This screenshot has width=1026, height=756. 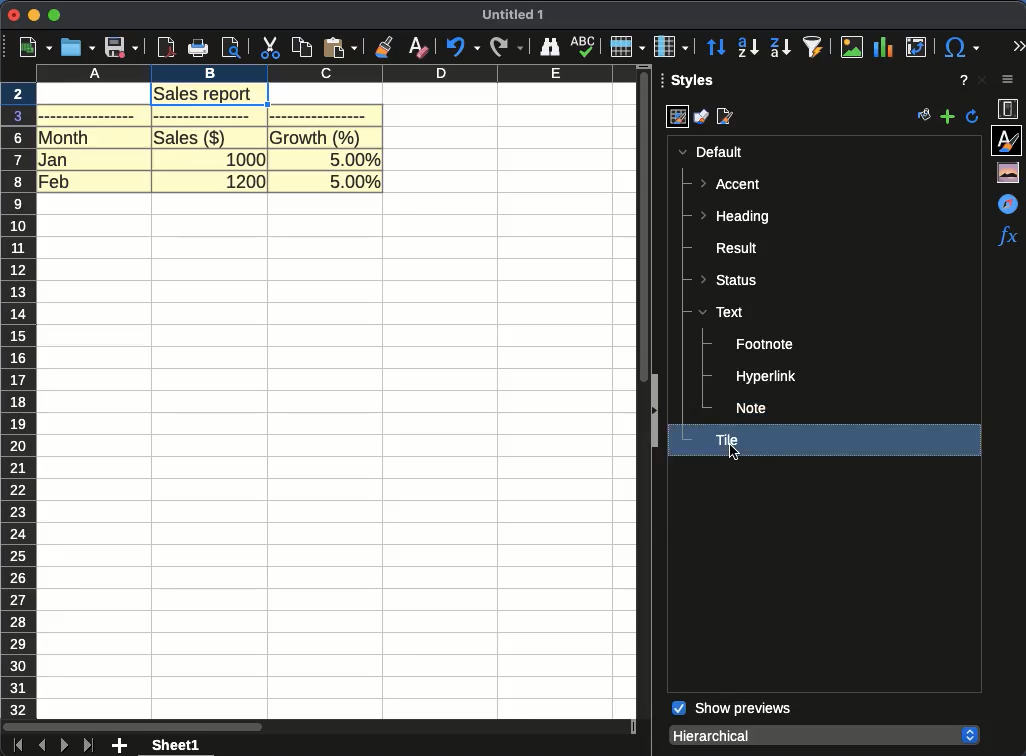 What do you see at coordinates (766, 378) in the screenshot?
I see `hyperlink` at bounding box center [766, 378].